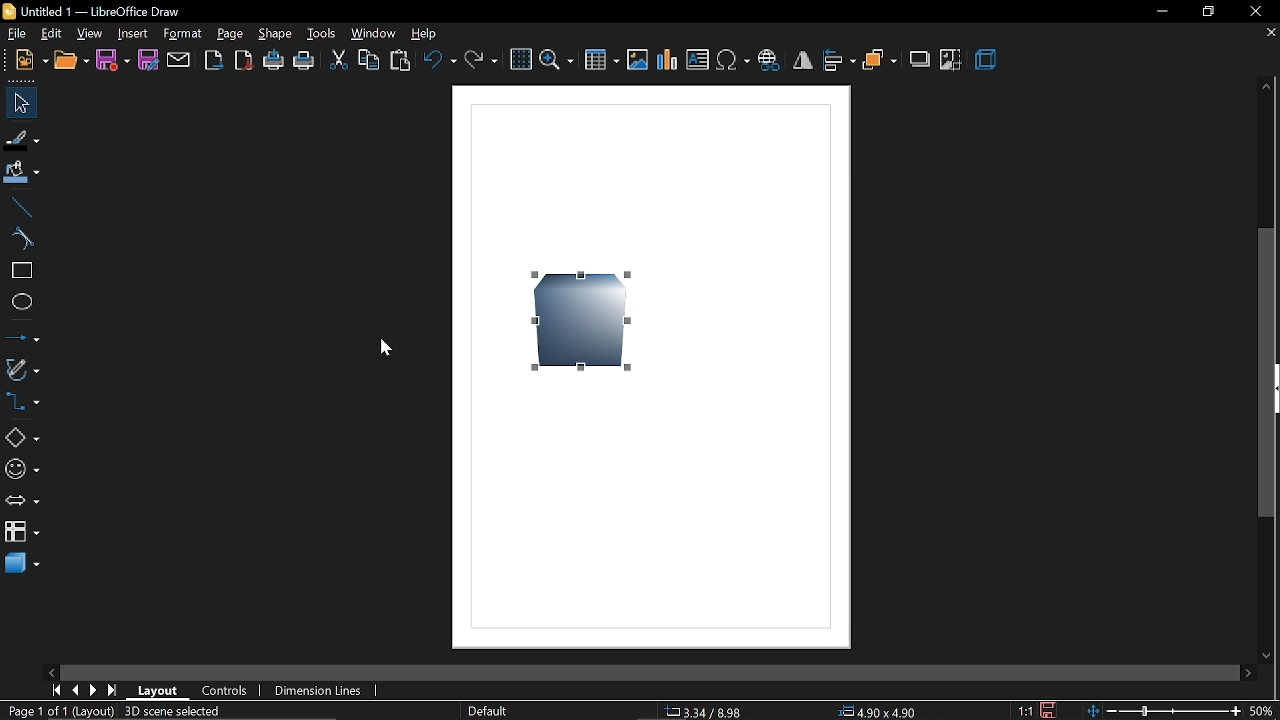 The width and height of the screenshot is (1280, 720). What do you see at coordinates (175, 711) in the screenshot?
I see `3D scene selected` at bounding box center [175, 711].